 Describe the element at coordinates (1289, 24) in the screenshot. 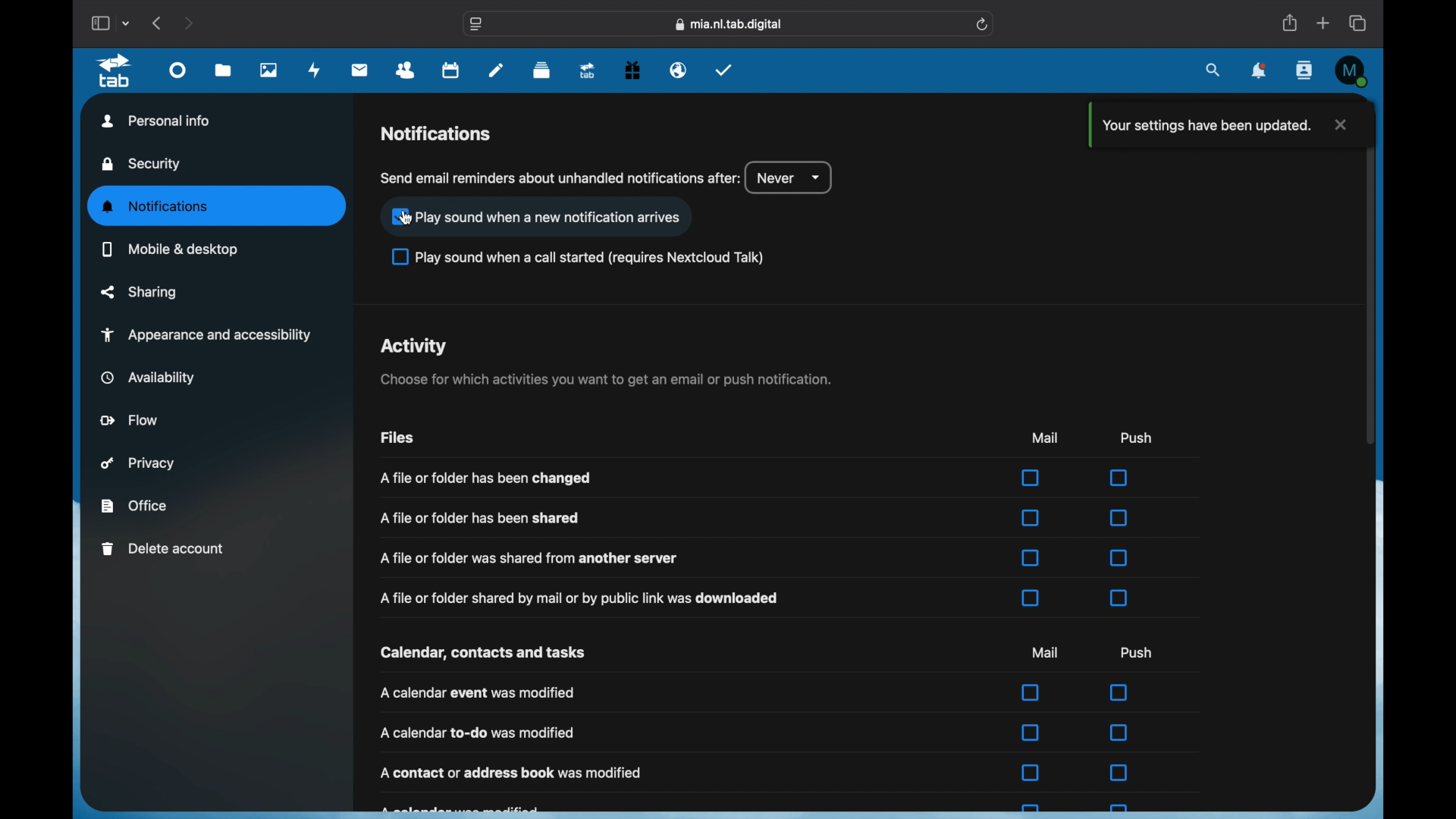

I see `share` at that location.